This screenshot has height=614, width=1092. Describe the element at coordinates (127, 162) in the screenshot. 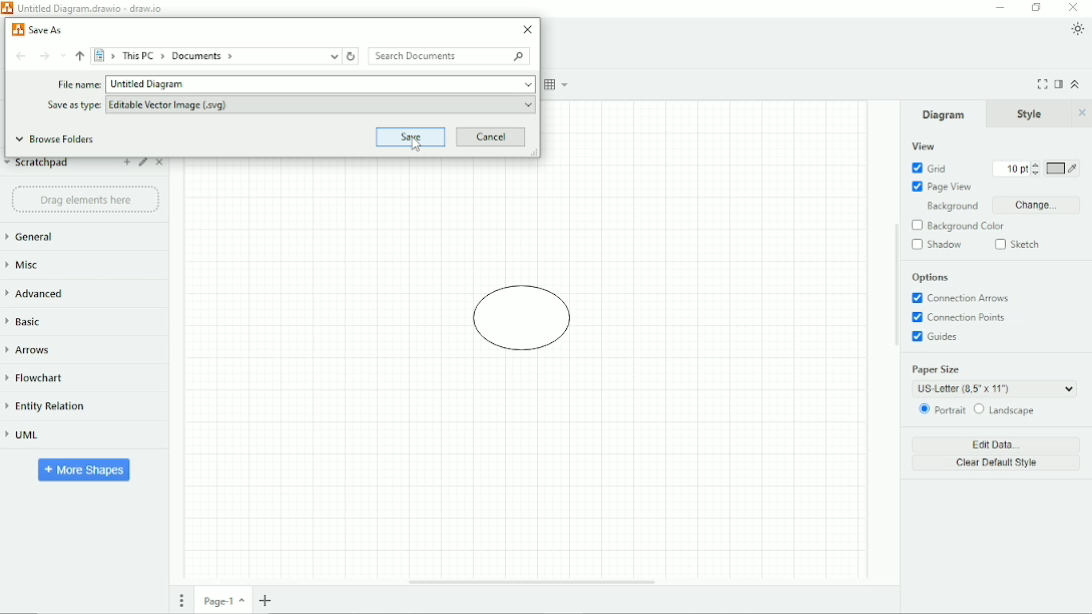

I see `Add` at that location.